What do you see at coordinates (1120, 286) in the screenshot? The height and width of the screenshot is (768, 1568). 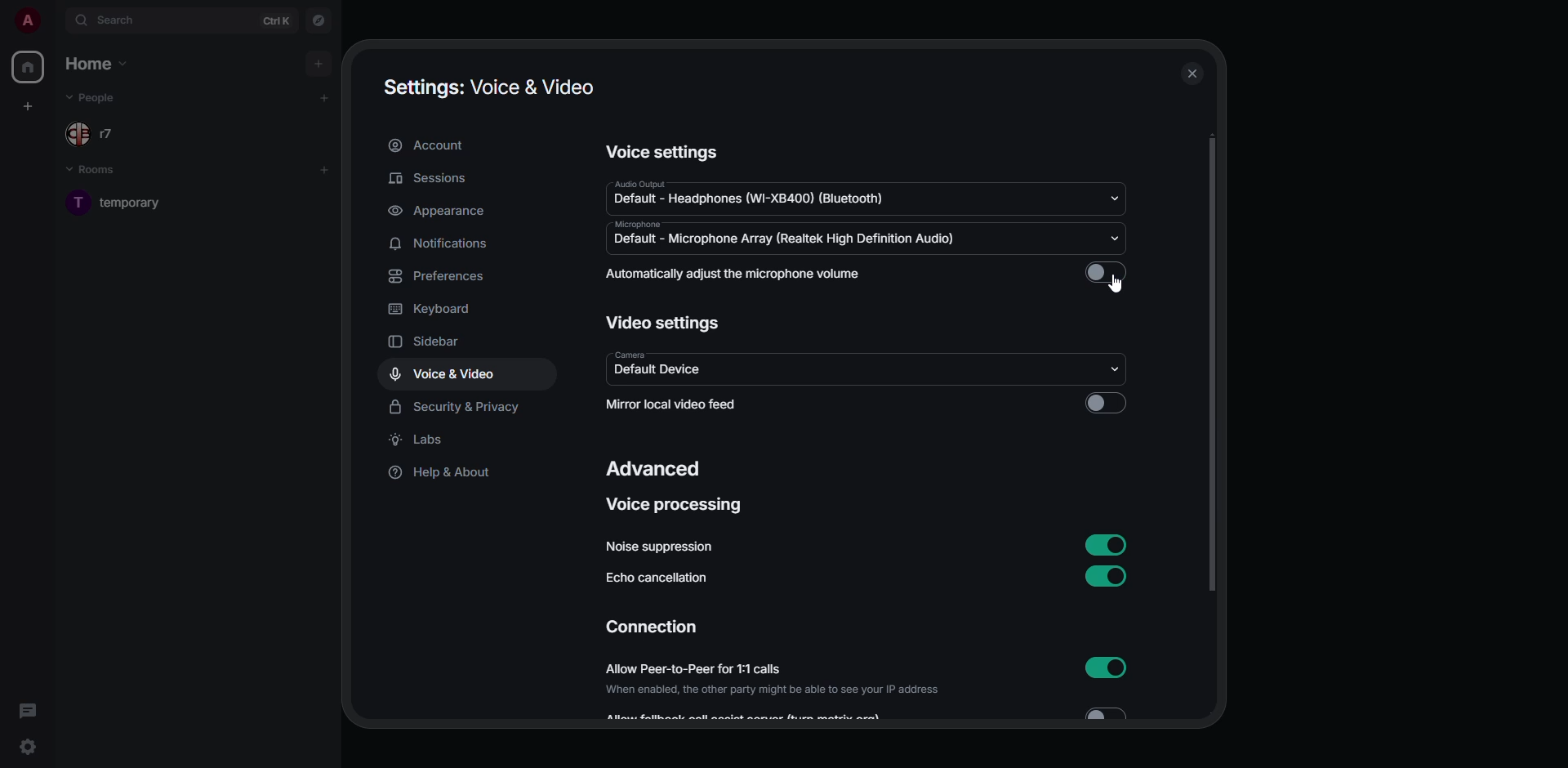 I see `cursor` at bounding box center [1120, 286].